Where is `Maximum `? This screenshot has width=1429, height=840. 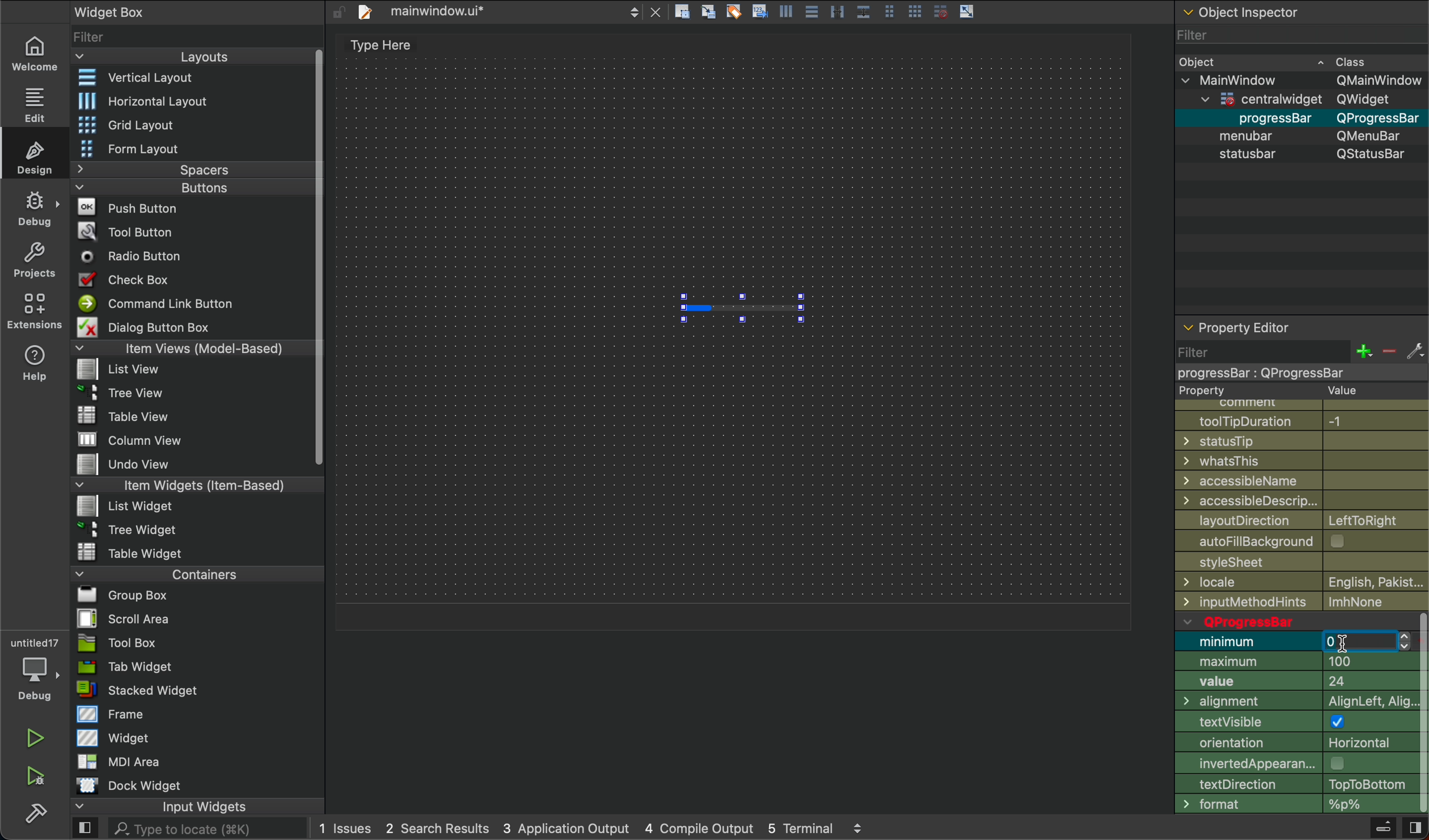 Maximum  is located at coordinates (1293, 661).